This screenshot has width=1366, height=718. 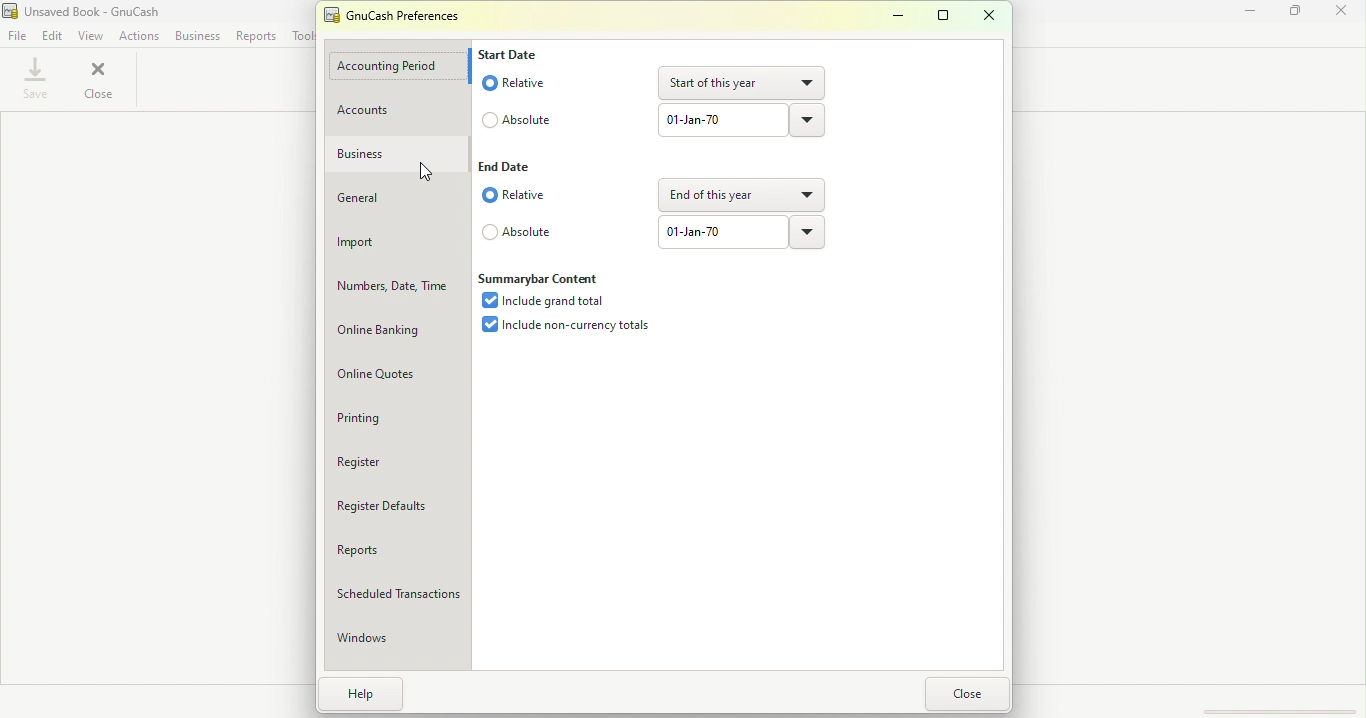 What do you see at coordinates (516, 55) in the screenshot?
I see `Start date` at bounding box center [516, 55].